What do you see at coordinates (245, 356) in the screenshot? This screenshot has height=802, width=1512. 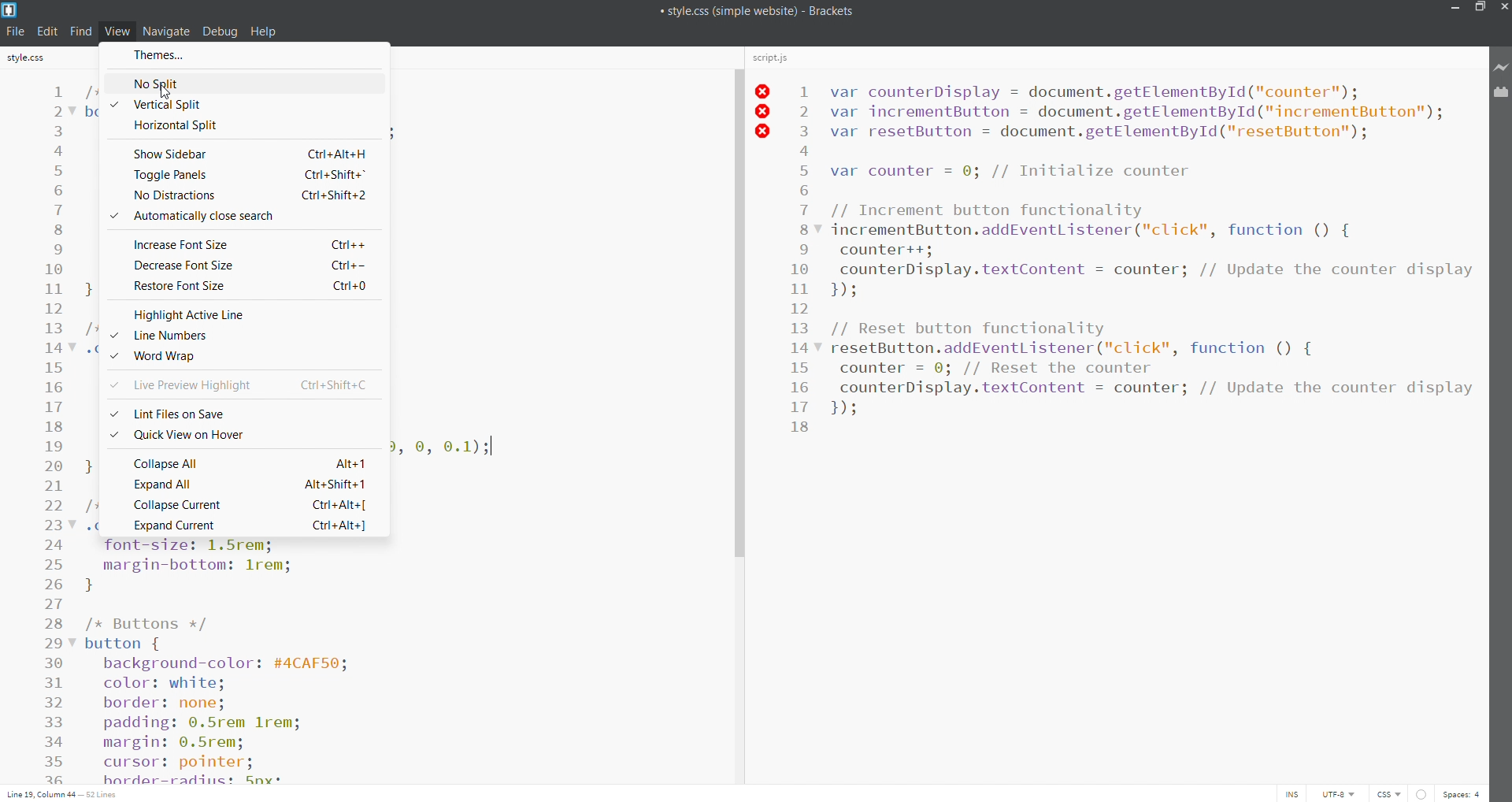 I see `word wrap` at bounding box center [245, 356].